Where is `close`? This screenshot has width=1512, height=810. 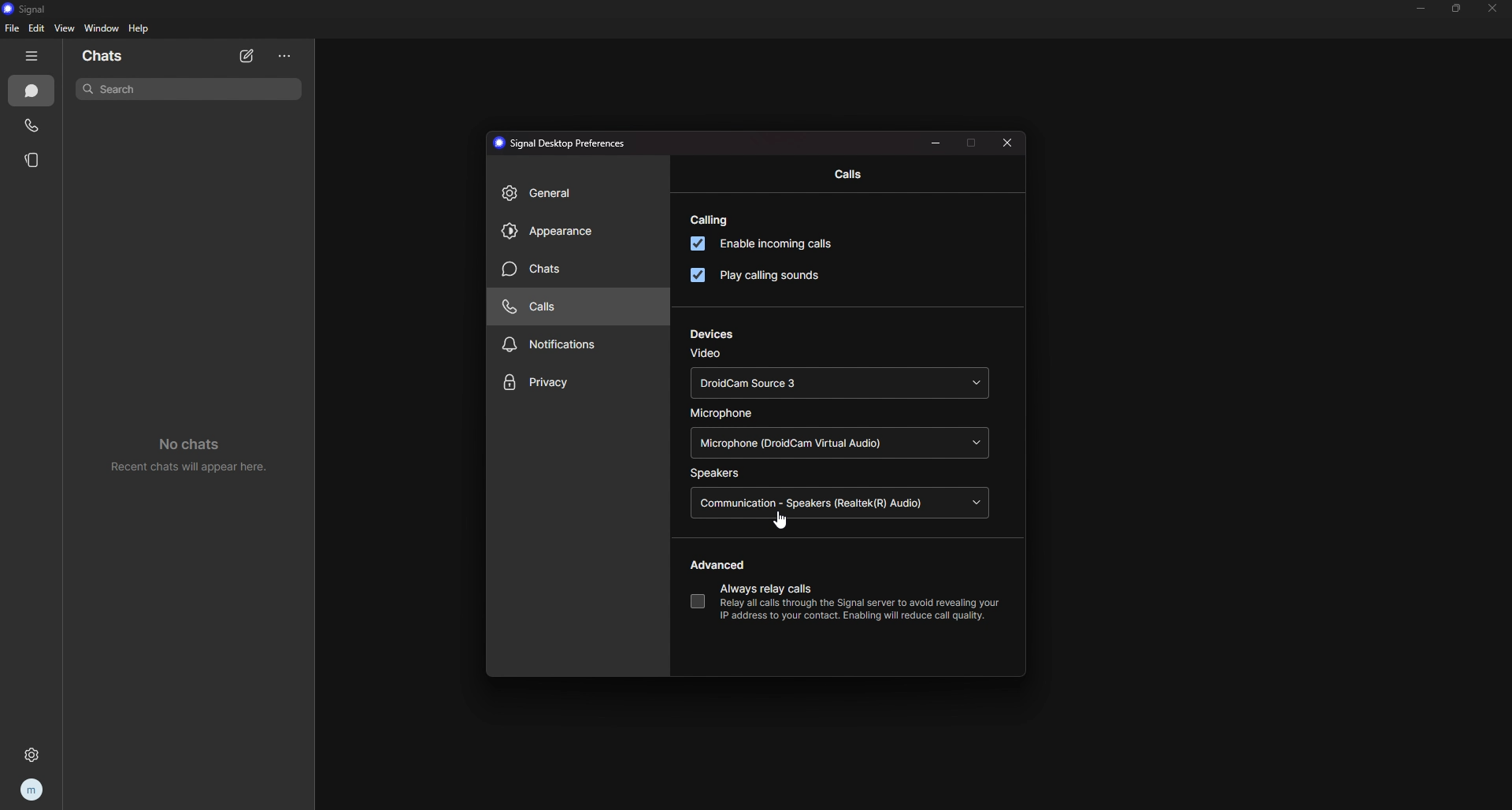 close is located at coordinates (1007, 143).